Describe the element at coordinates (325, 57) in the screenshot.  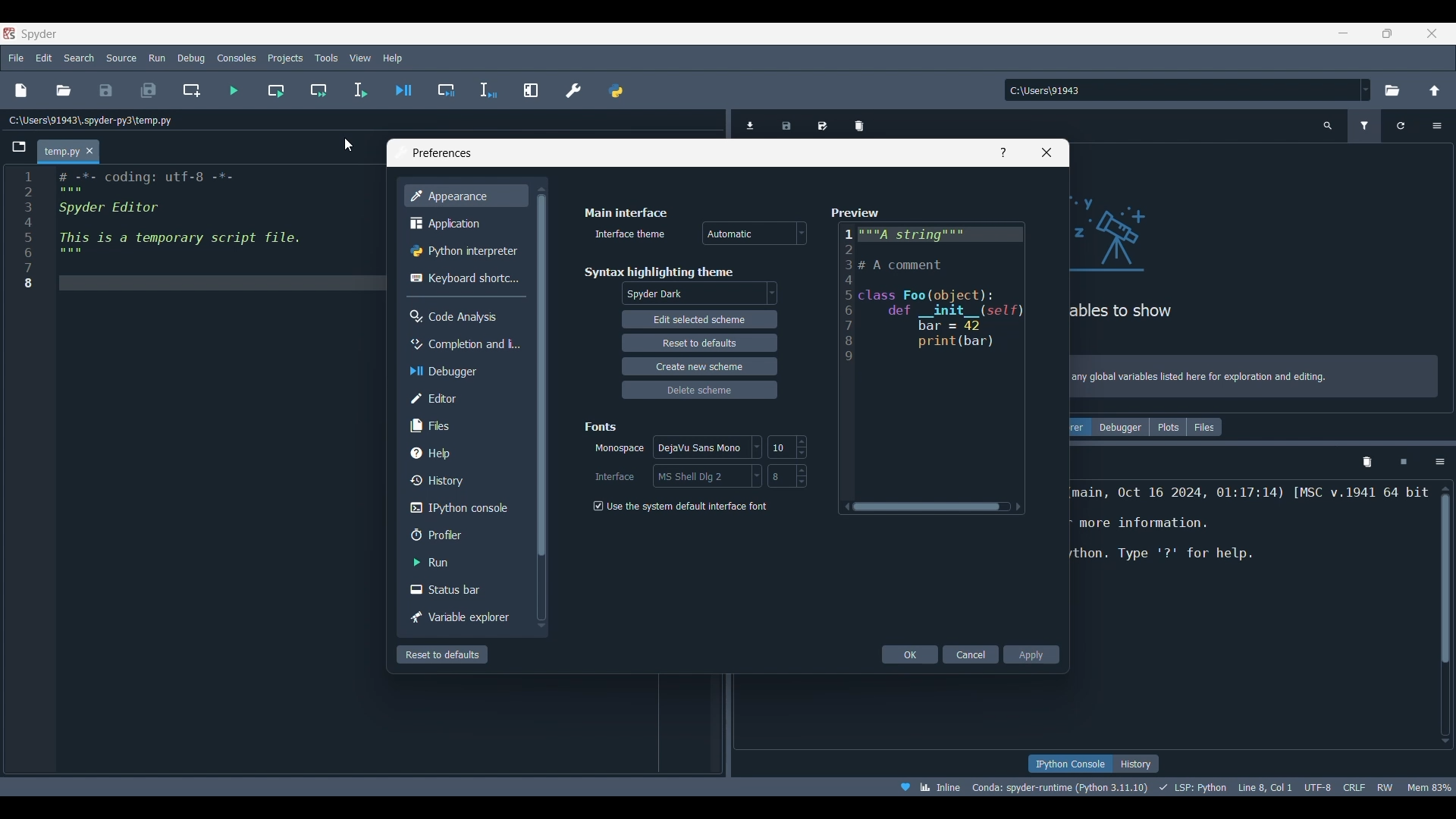
I see `Tools menu, highlighted by cursor` at that location.